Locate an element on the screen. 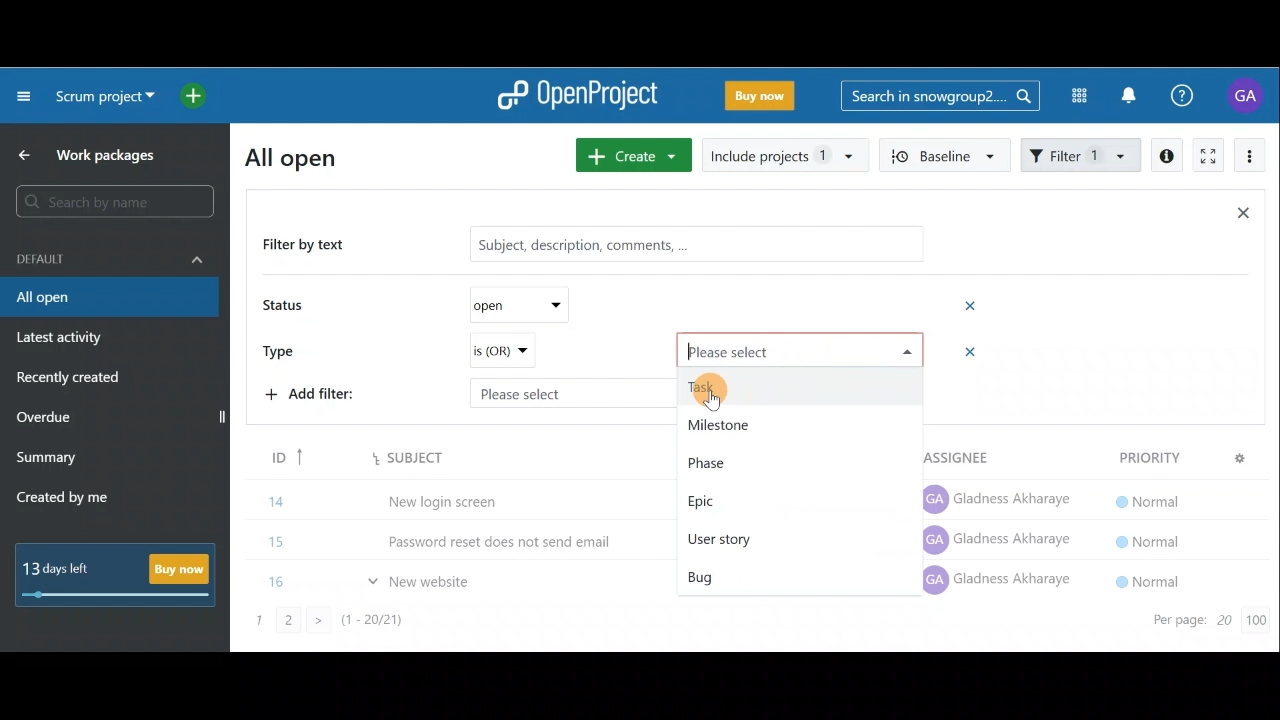 The height and width of the screenshot is (720, 1280). Type is located at coordinates (286, 349).